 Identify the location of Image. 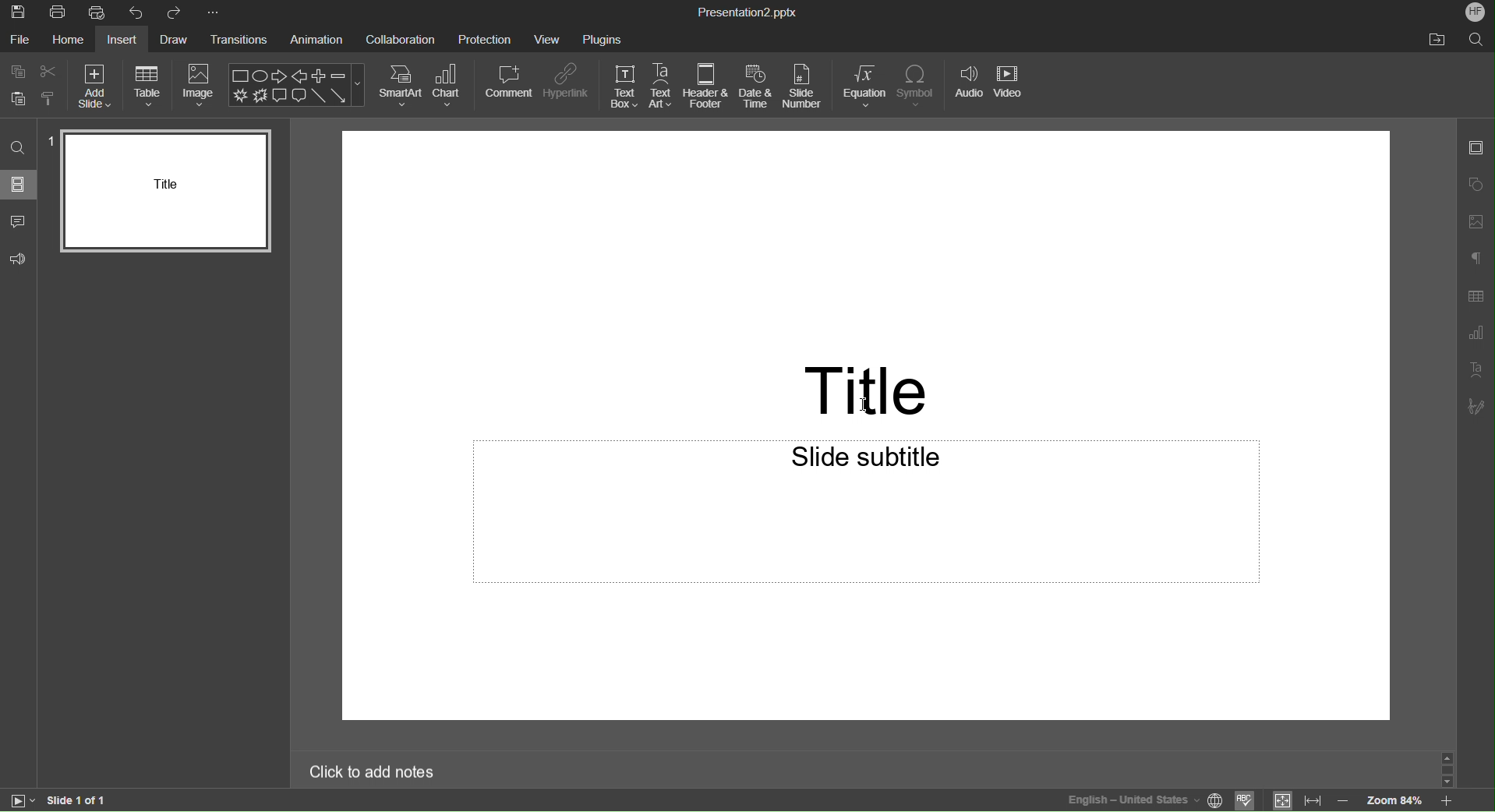
(200, 86).